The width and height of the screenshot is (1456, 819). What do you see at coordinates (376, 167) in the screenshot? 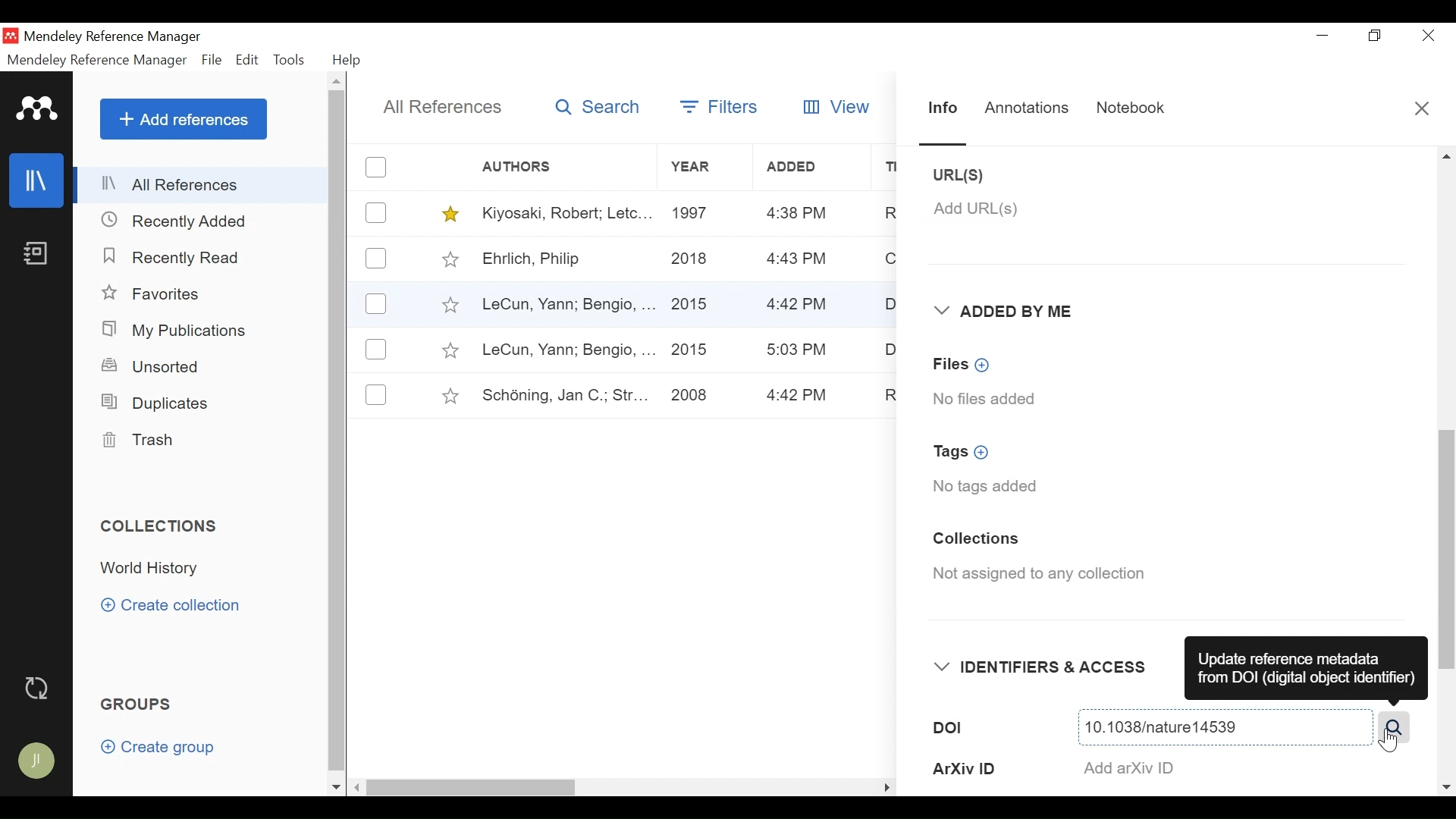
I see `(un)select` at bounding box center [376, 167].